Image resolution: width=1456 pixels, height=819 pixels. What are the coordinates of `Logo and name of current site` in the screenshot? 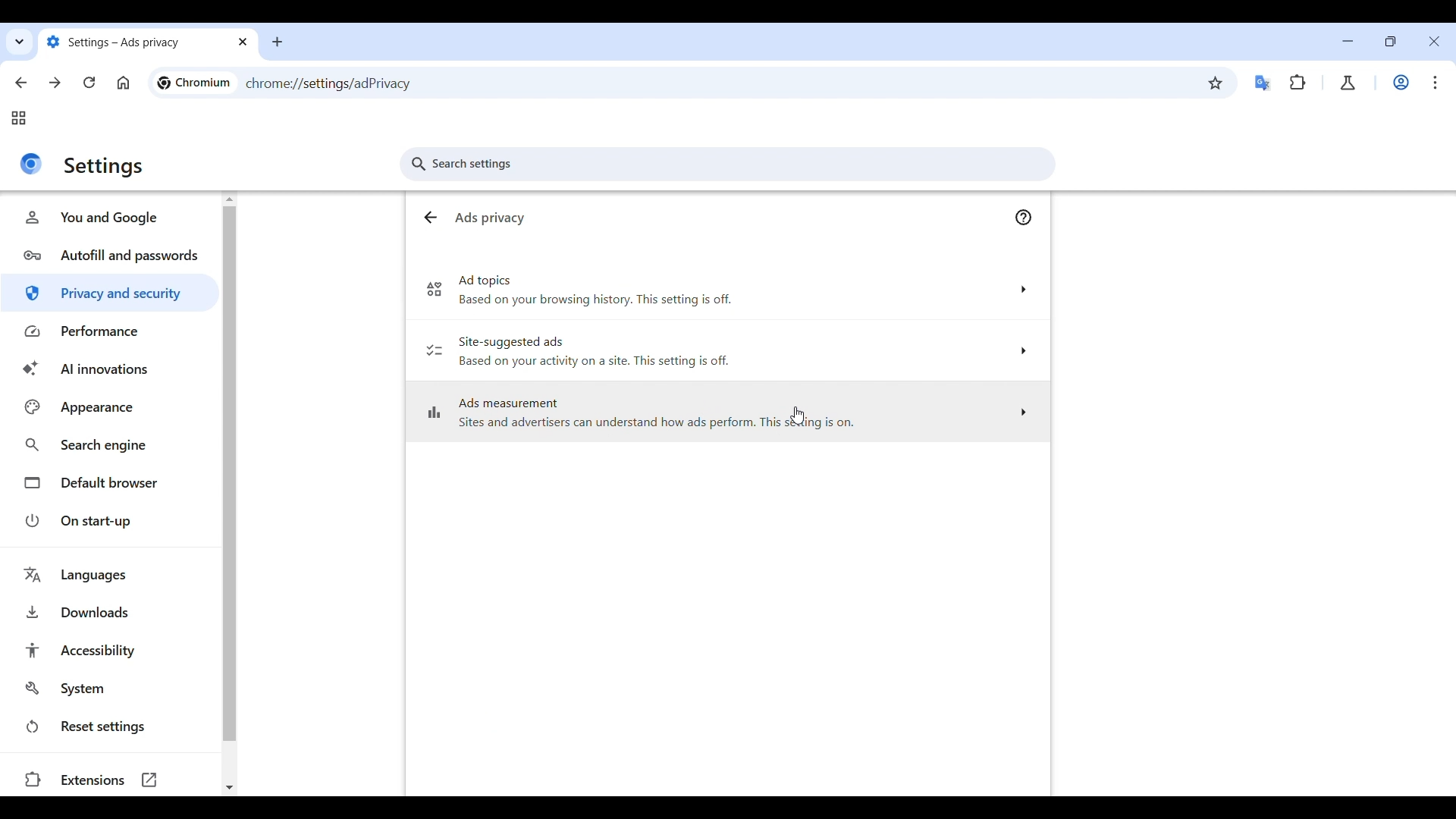 It's located at (194, 83).